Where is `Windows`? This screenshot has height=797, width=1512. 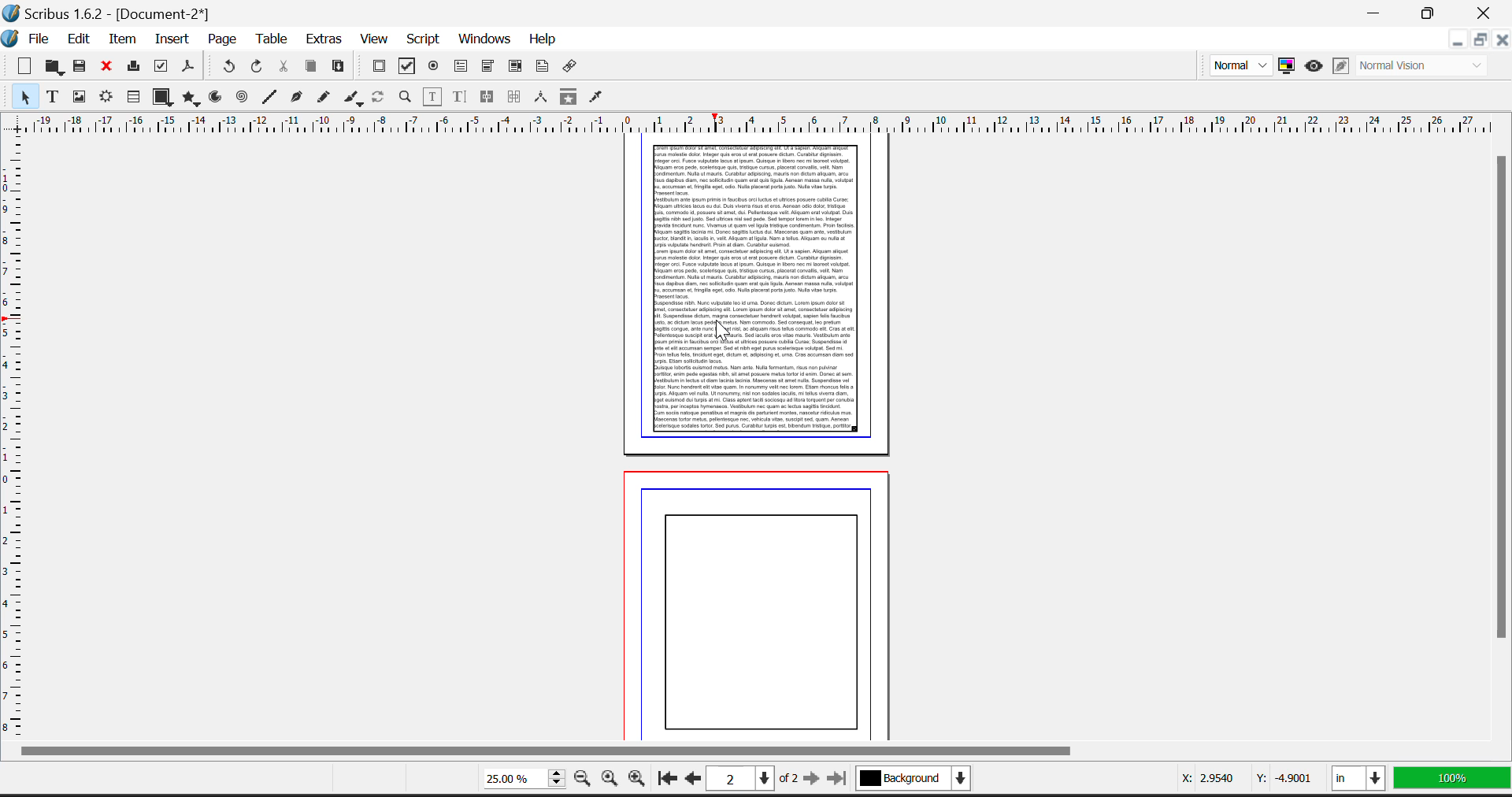
Windows is located at coordinates (484, 40).